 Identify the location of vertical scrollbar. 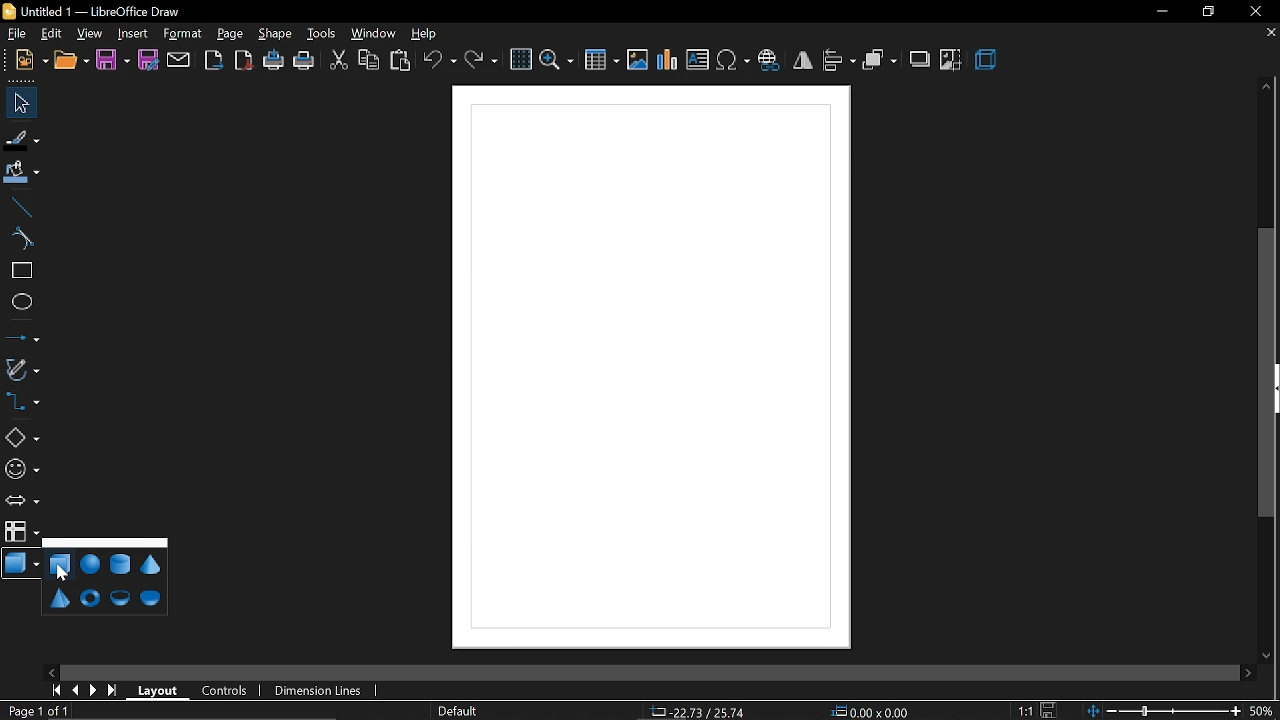
(1269, 373).